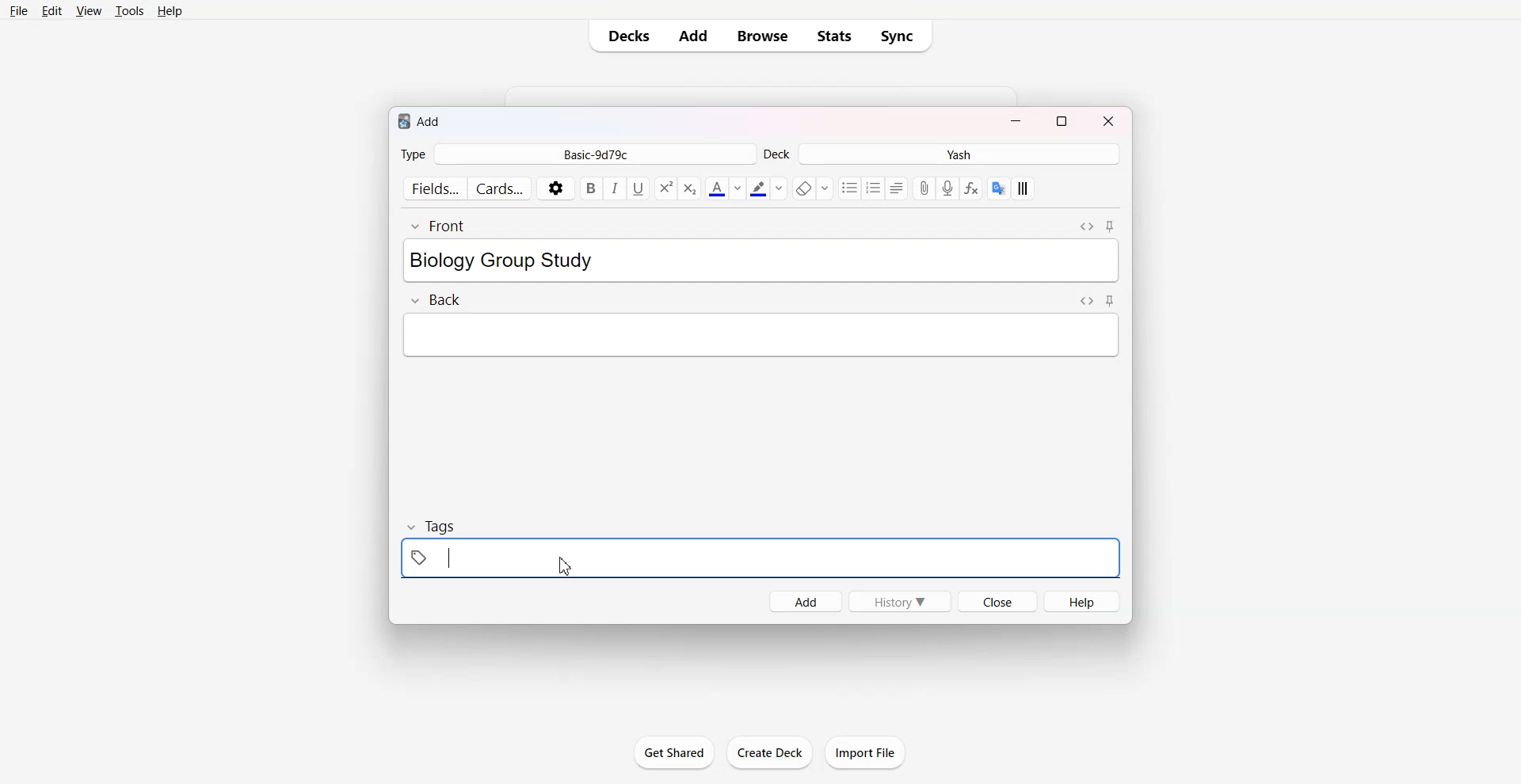  Describe the element at coordinates (54, 11) in the screenshot. I see `Edit` at that location.